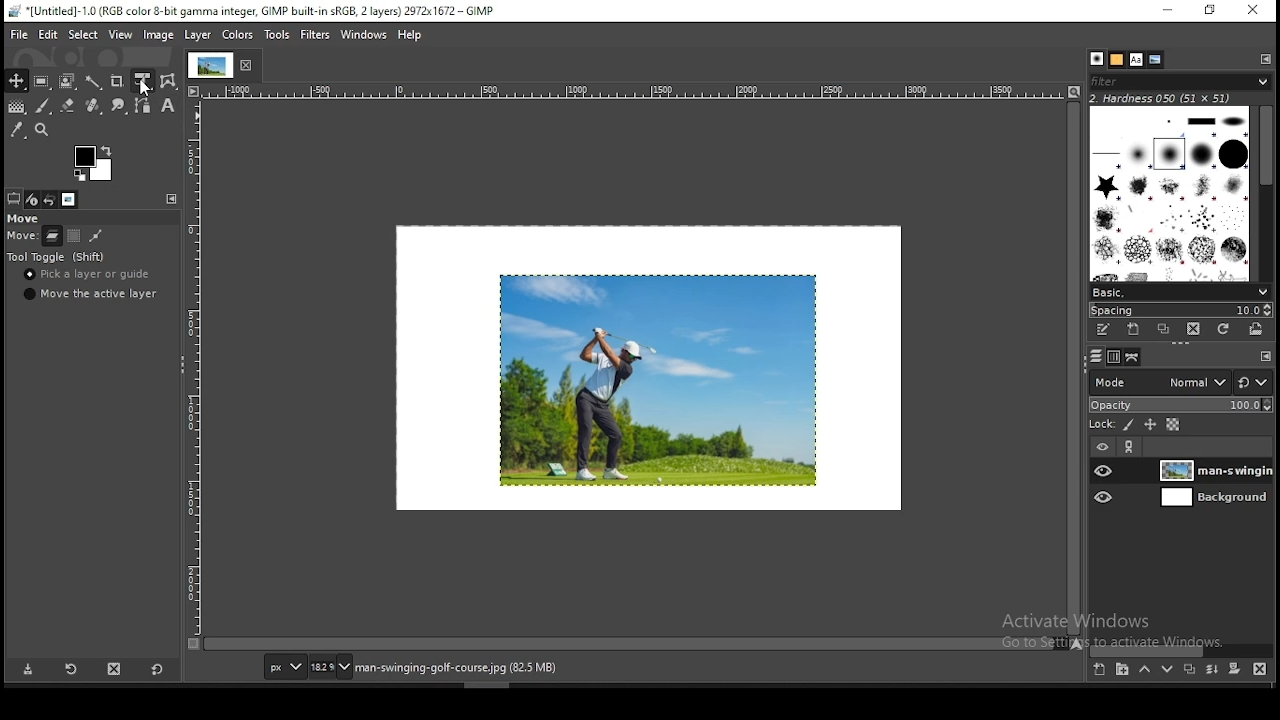 Image resolution: width=1280 pixels, height=720 pixels. What do you see at coordinates (82, 35) in the screenshot?
I see `select` at bounding box center [82, 35].